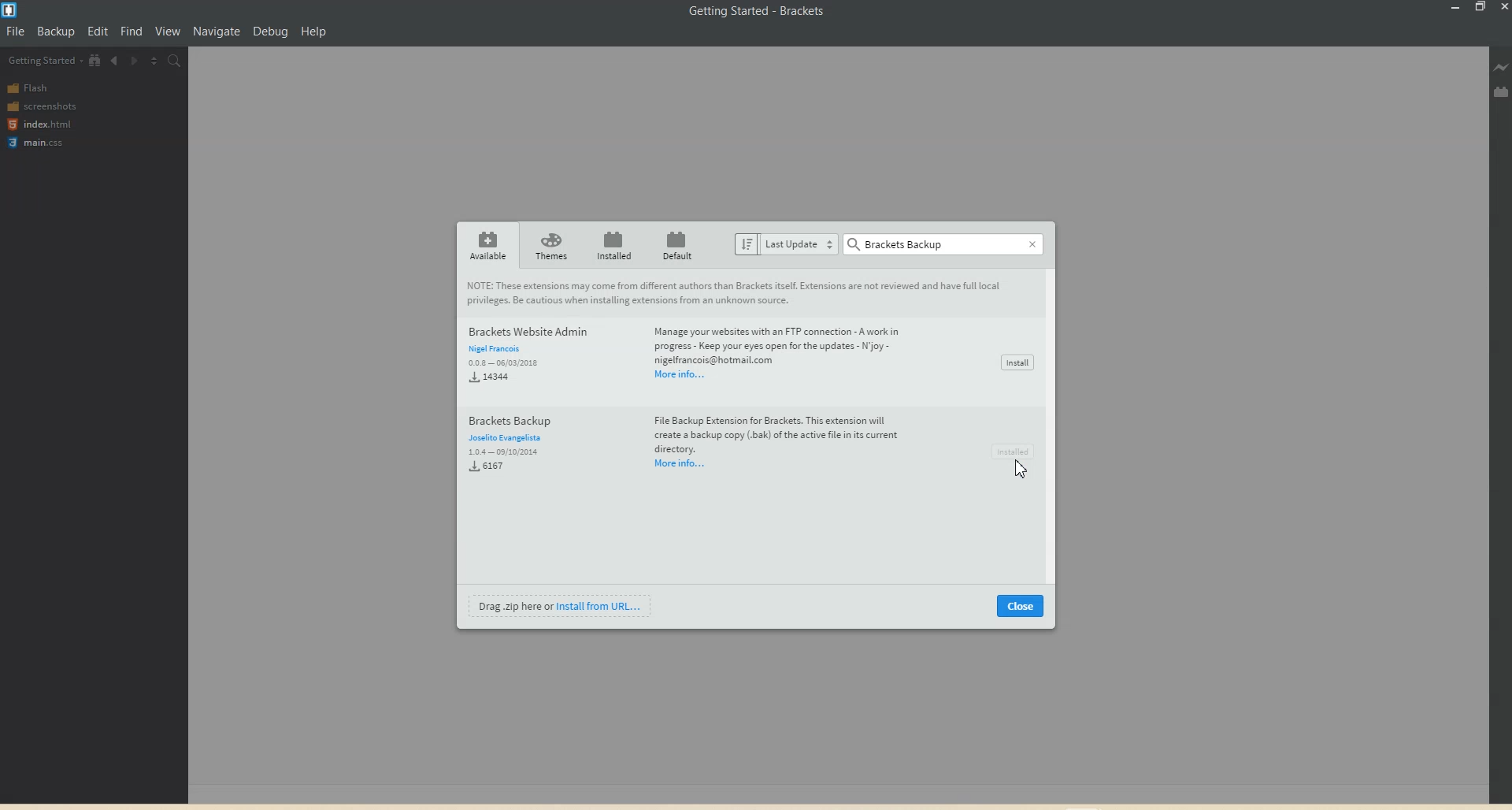 The width and height of the screenshot is (1512, 810). Describe the element at coordinates (57, 29) in the screenshot. I see `Backup` at that location.